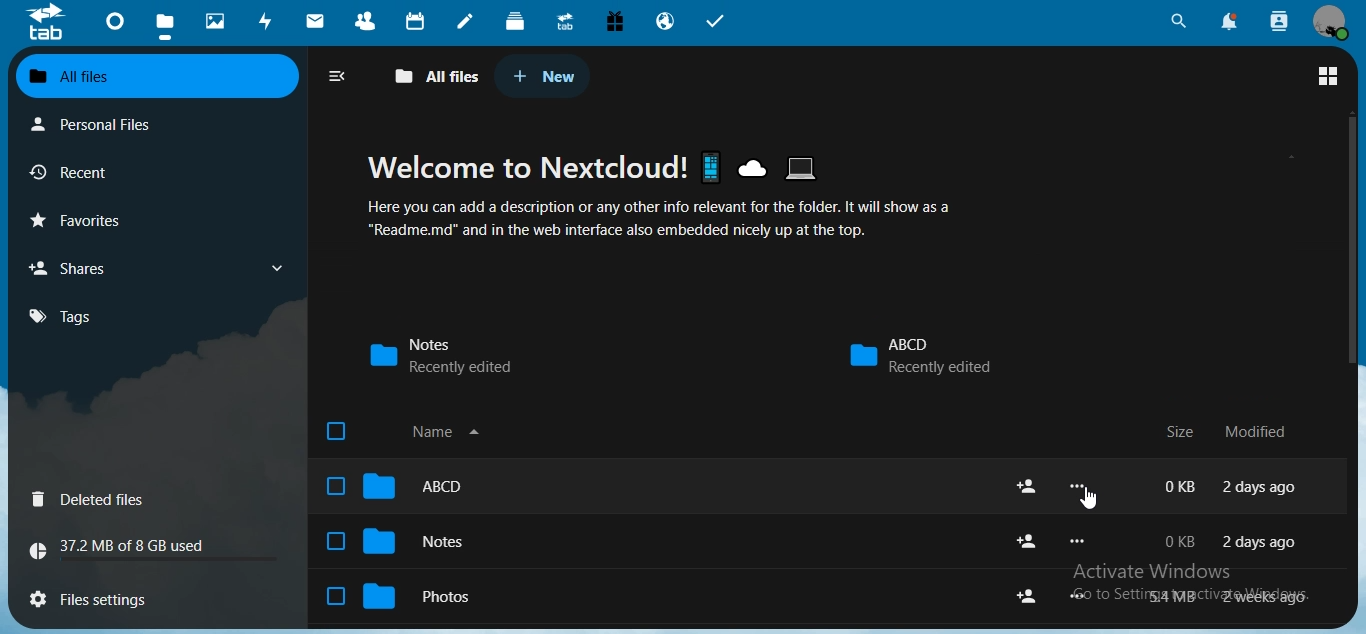 This screenshot has width=1366, height=634. Describe the element at coordinates (1230, 21) in the screenshot. I see `notifications` at that location.